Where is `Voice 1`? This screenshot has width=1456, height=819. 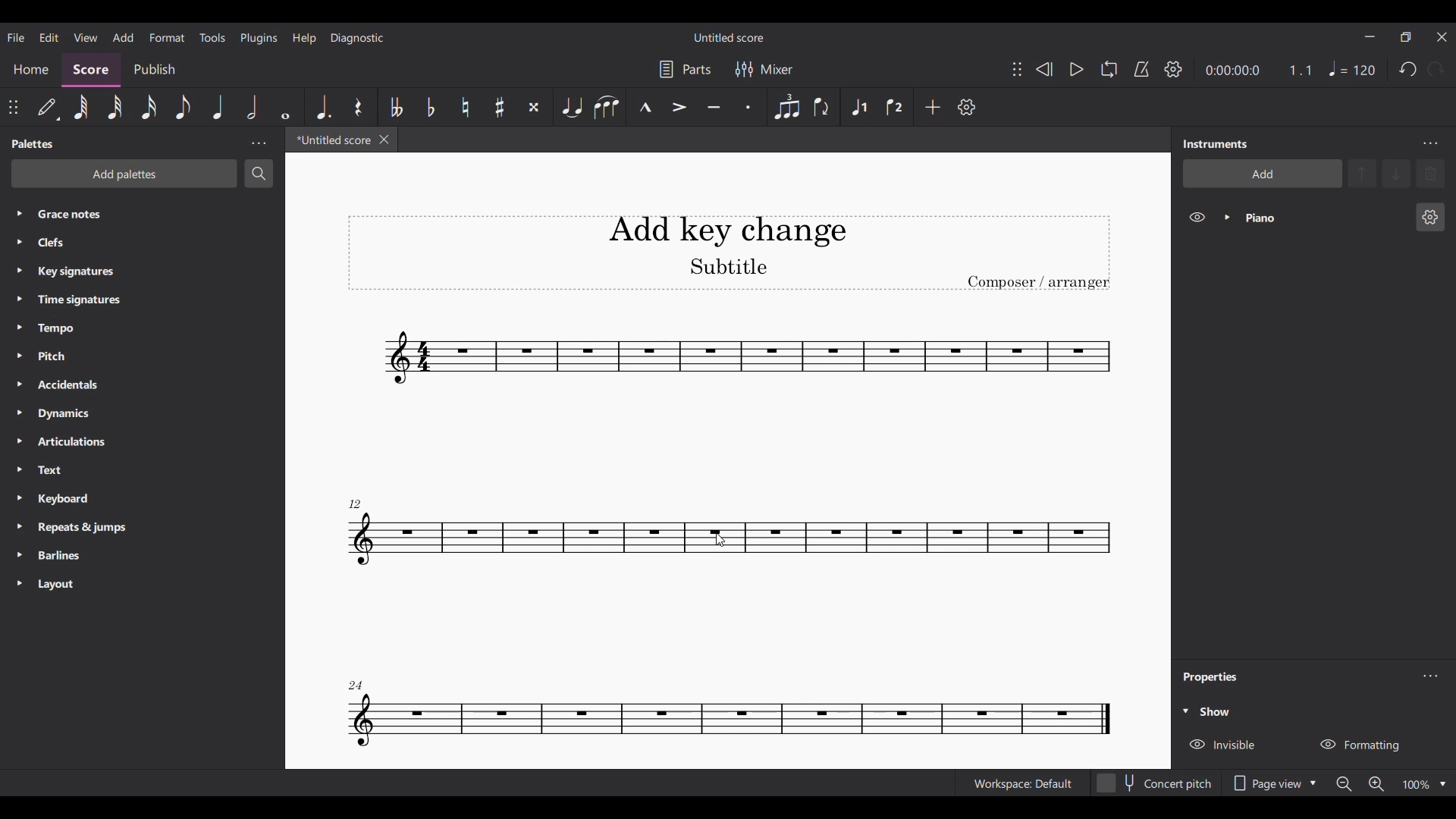
Voice 1 is located at coordinates (859, 107).